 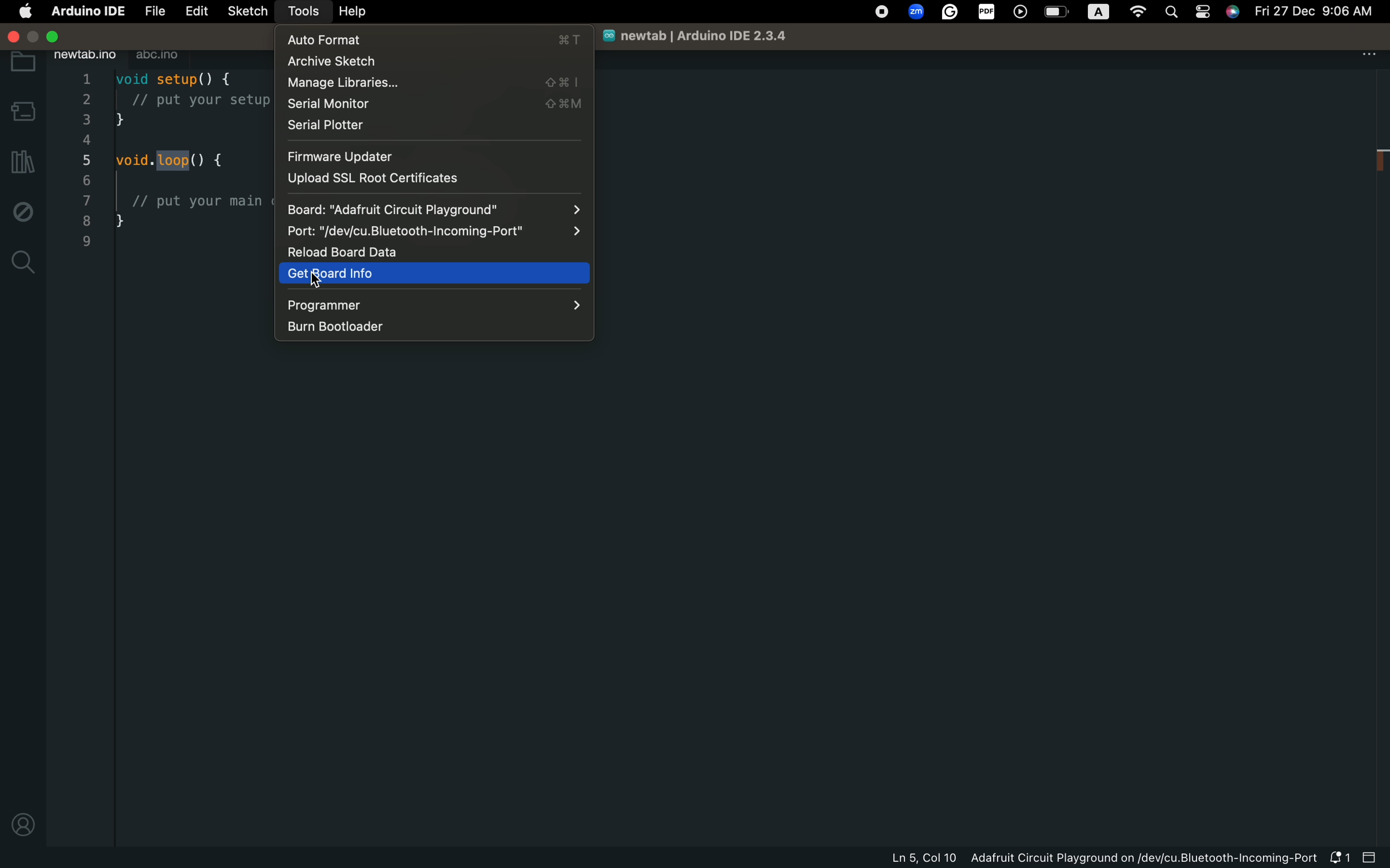 I want to click on programmer, so click(x=435, y=303).